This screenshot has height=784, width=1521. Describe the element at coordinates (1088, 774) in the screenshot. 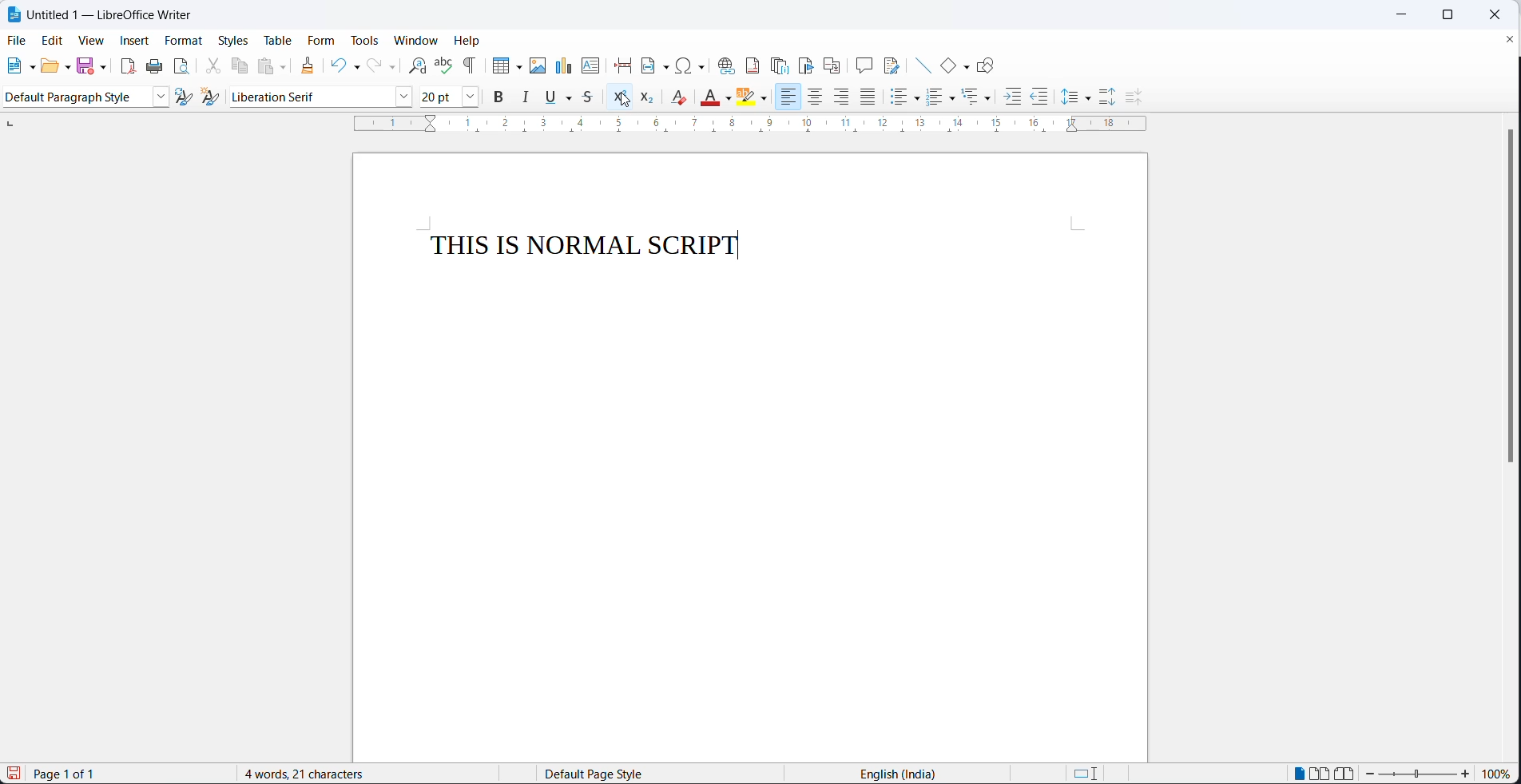

I see `standard selection` at that location.